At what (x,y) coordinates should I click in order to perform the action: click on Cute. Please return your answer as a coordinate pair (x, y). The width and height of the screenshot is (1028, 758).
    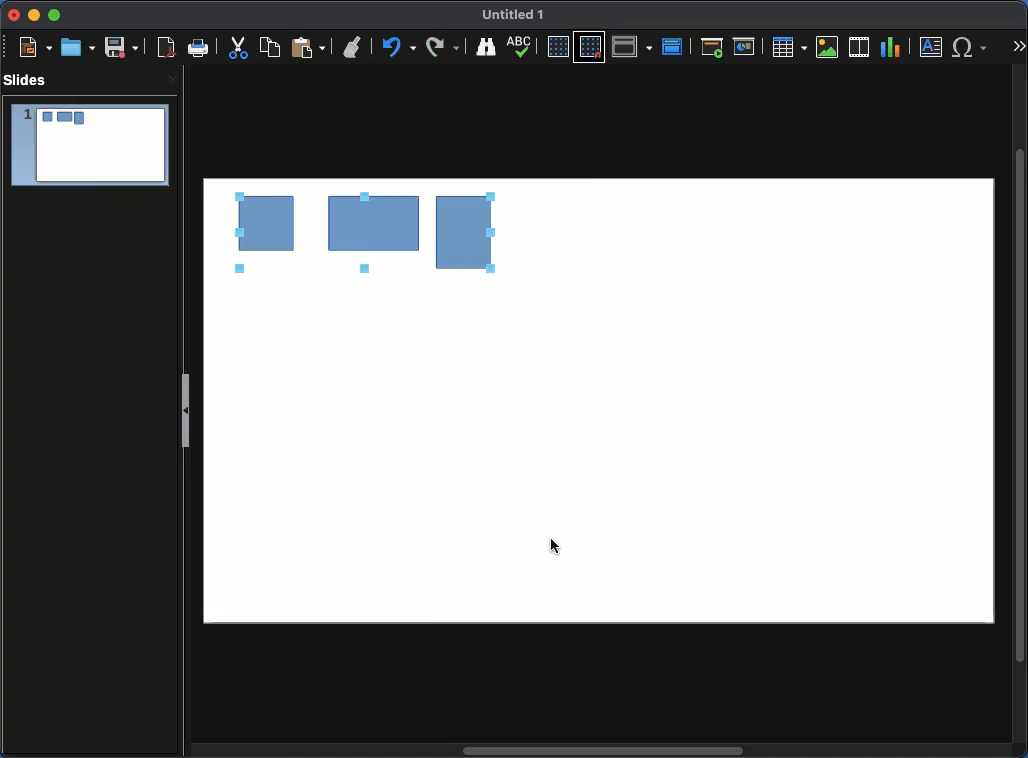
    Looking at the image, I should click on (240, 50).